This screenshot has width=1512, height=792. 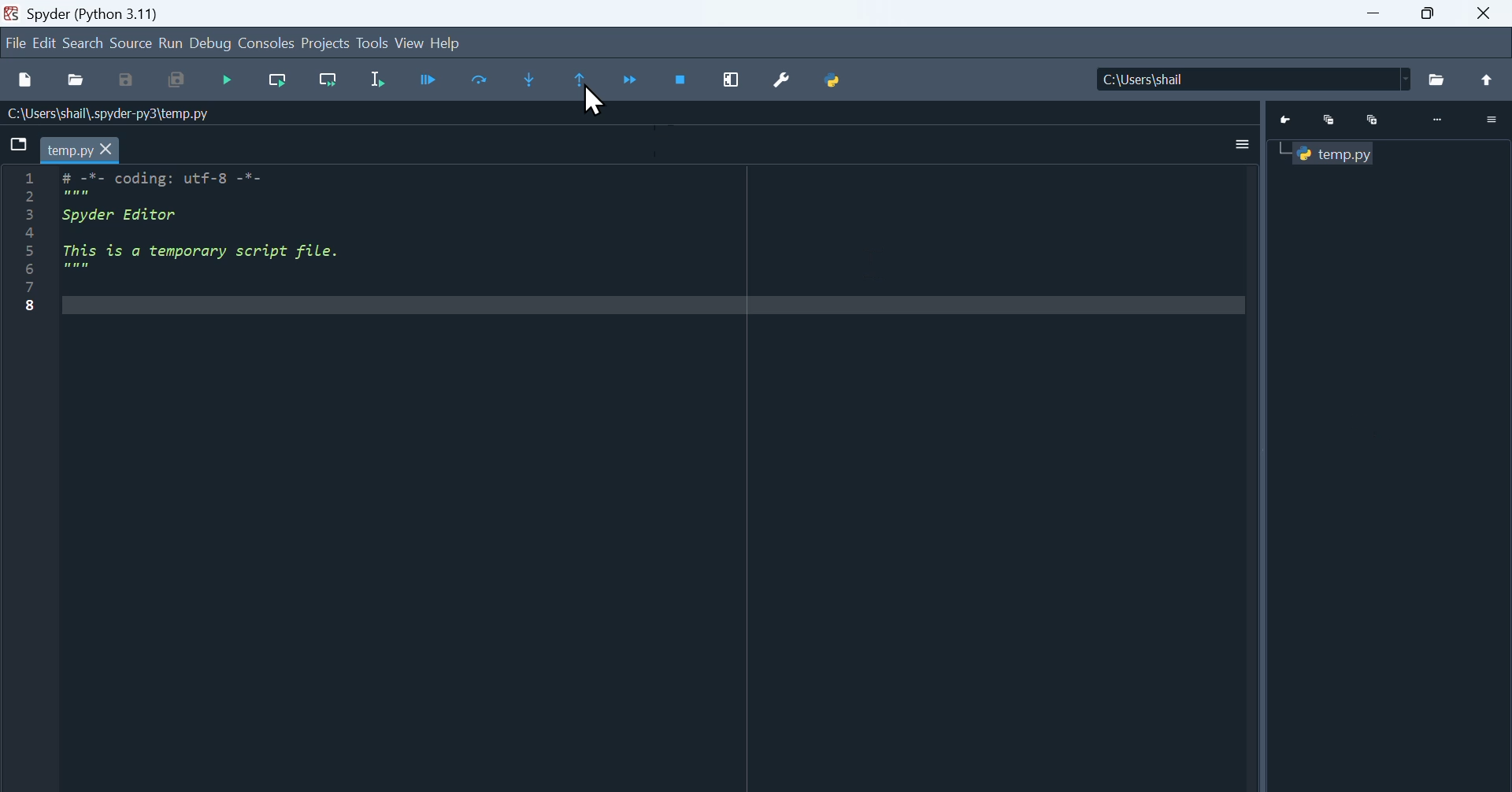 I want to click on Run, so click(x=430, y=79).